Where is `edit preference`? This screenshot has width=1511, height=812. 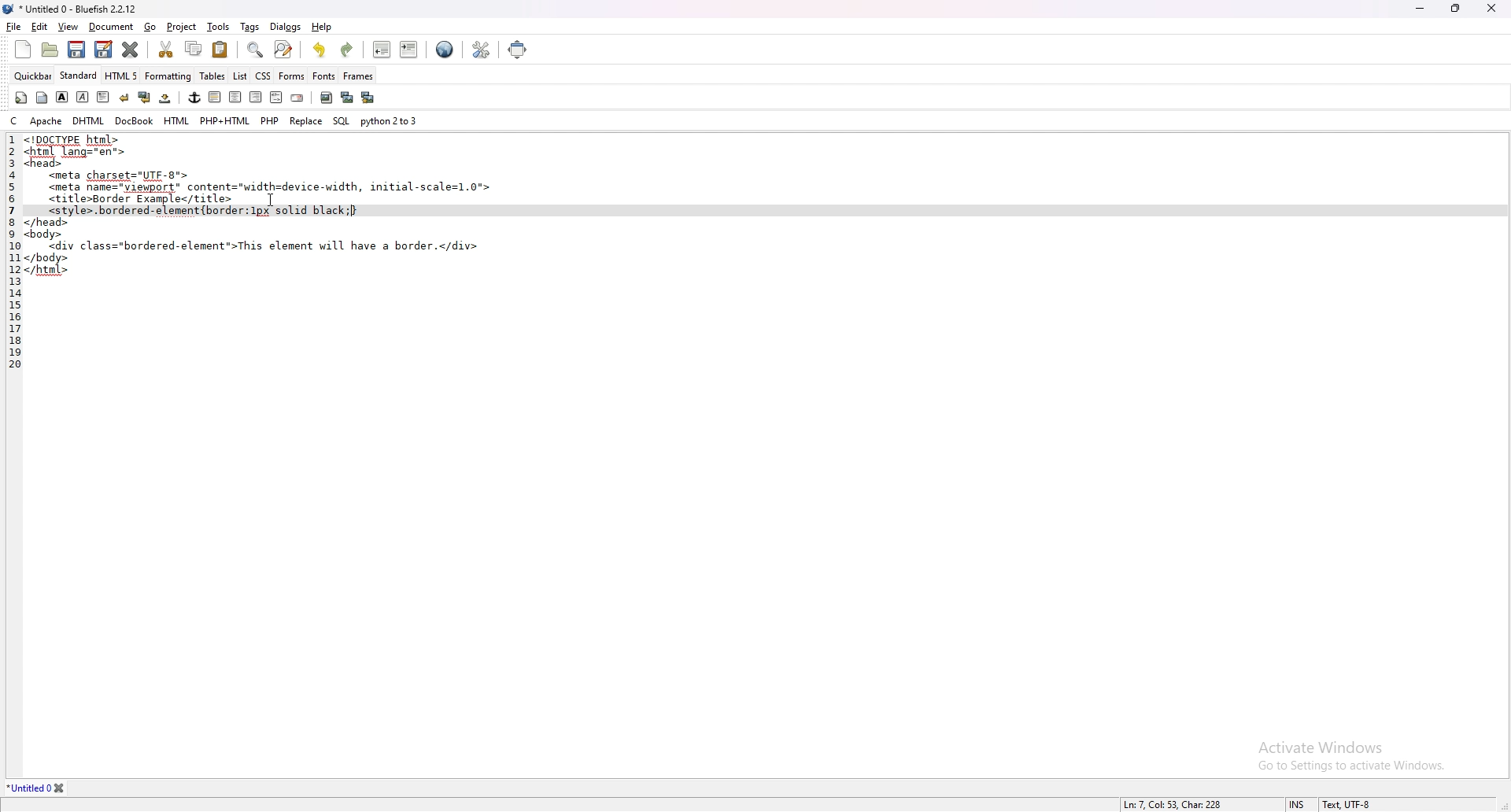
edit preference is located at coordinates (478, 50).